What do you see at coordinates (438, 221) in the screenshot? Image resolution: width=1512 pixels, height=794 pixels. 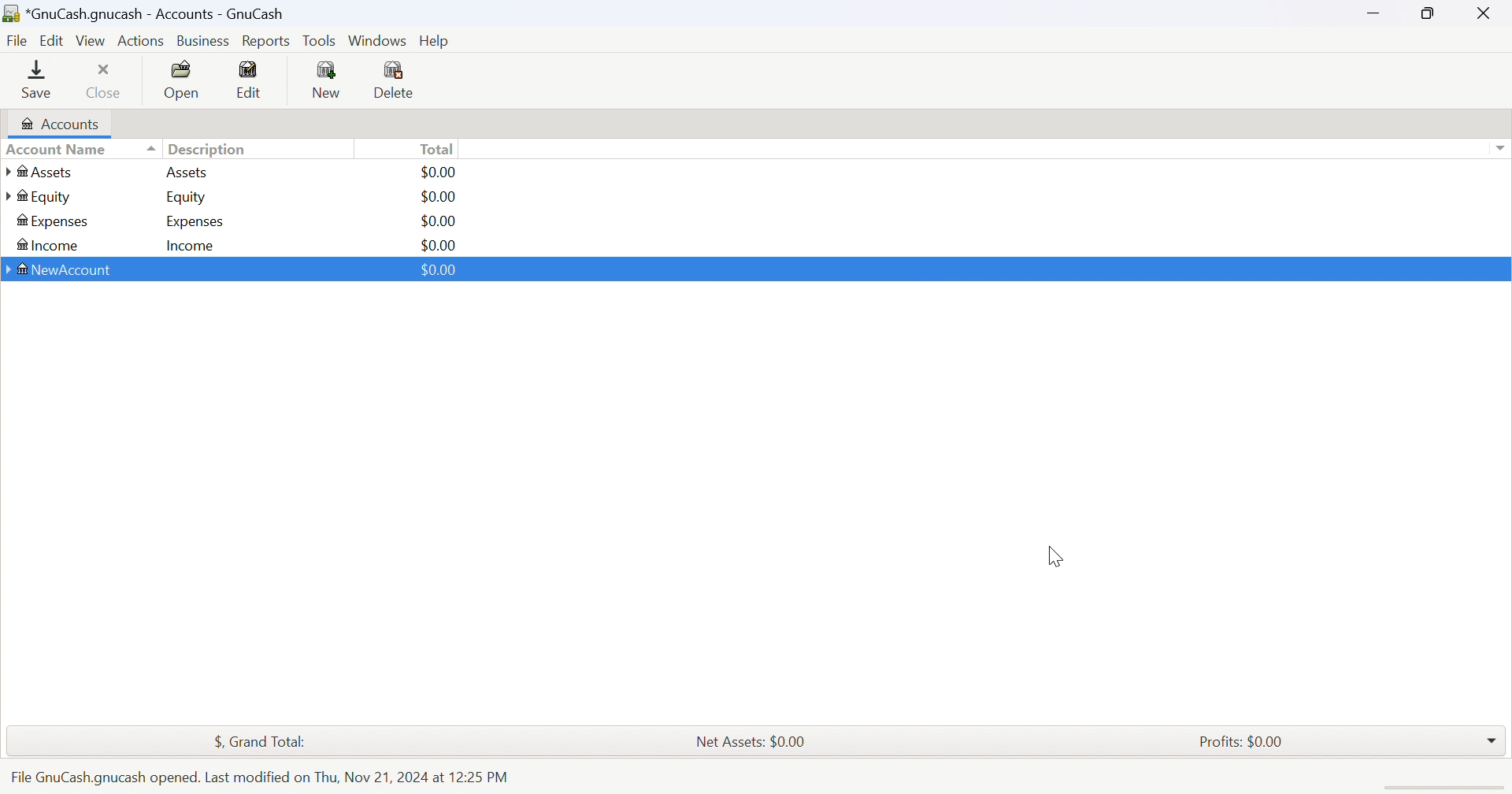 I see `$0.00` at bounding box center [438, 221].